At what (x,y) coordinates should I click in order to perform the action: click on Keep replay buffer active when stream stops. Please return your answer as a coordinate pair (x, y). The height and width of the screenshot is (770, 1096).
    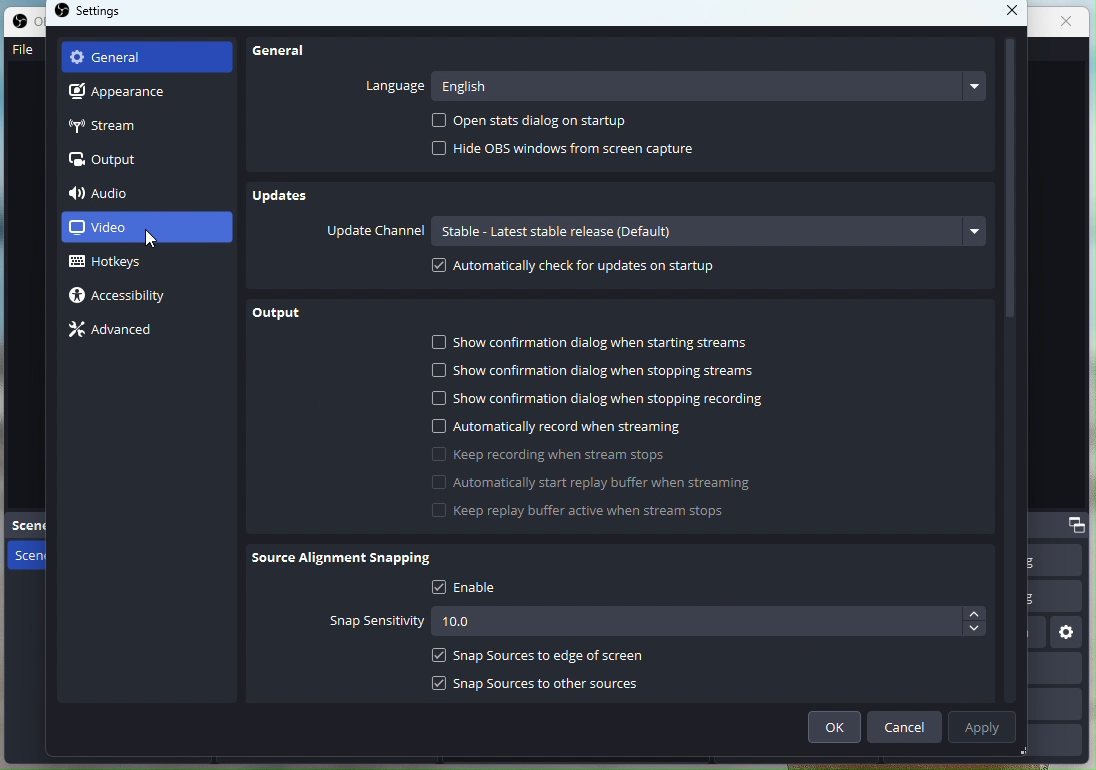
    Looking at the image, I should click on (586, 509).